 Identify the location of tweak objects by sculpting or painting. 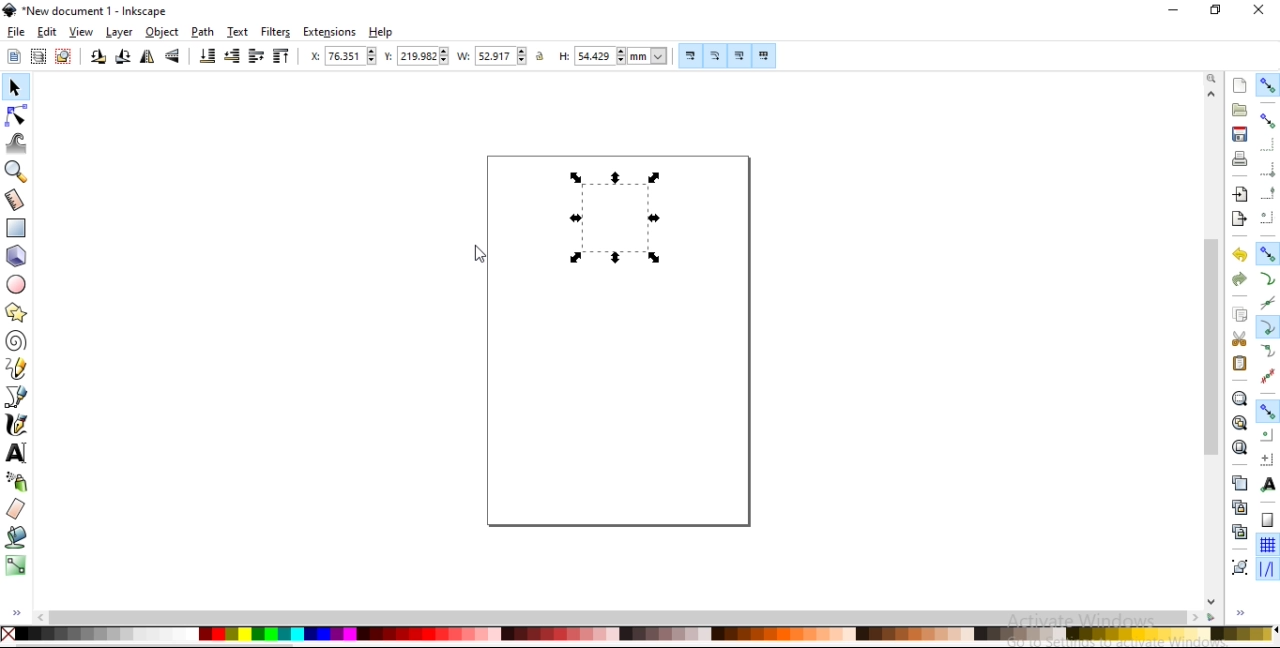
(17, 145).